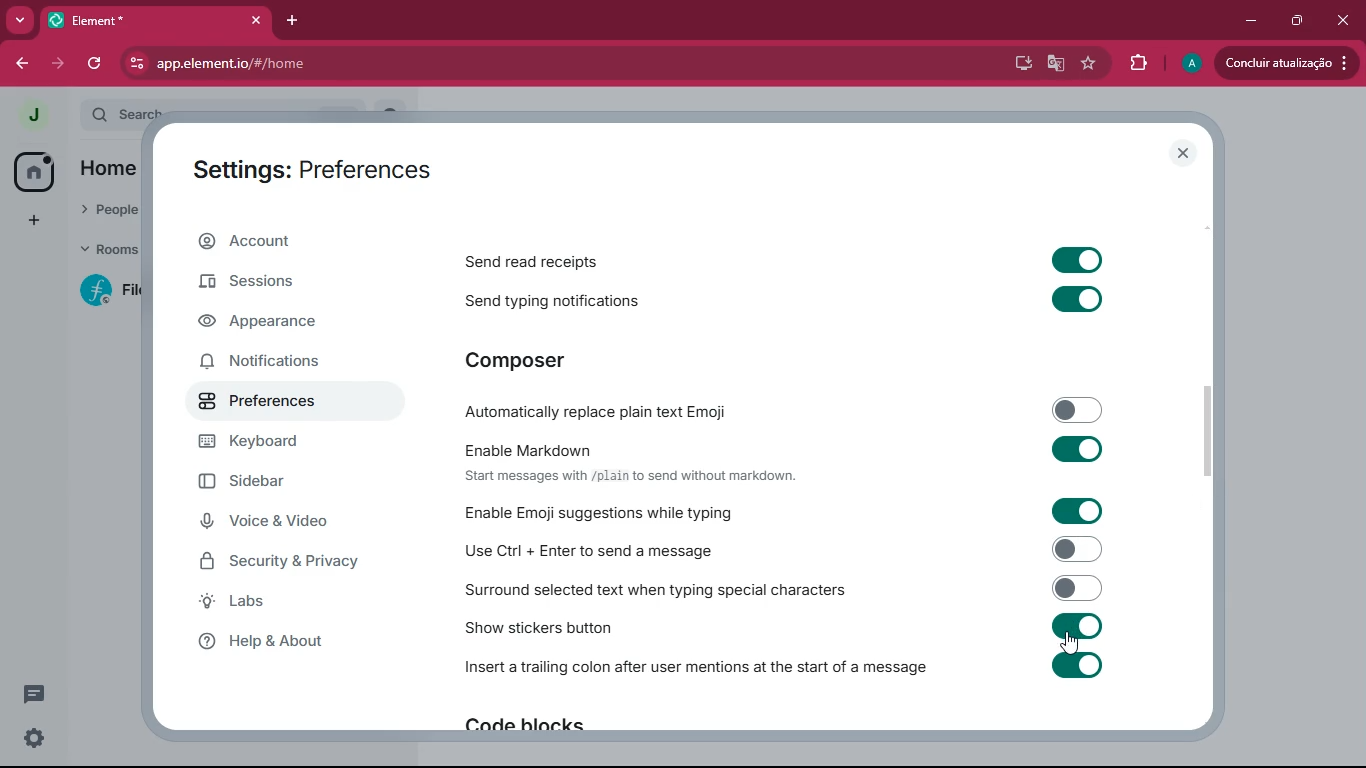 Image resolution: width=1366 pixels, height=768 pixels. I want to click on settings:preferences, so click(323, 165).